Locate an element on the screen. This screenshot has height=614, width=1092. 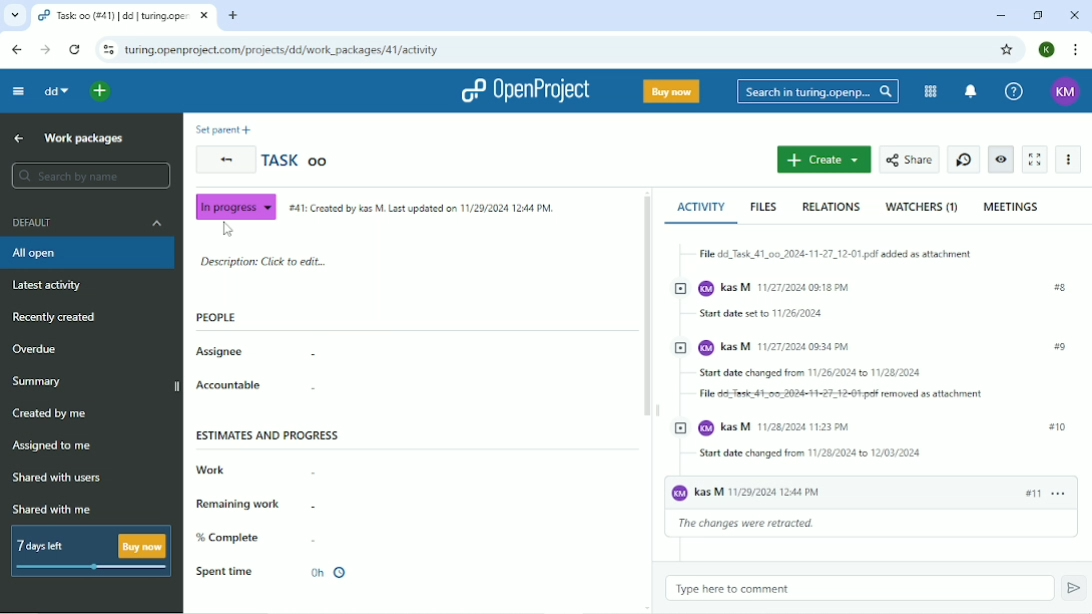
Current tab is located at coordinates (122, 15).